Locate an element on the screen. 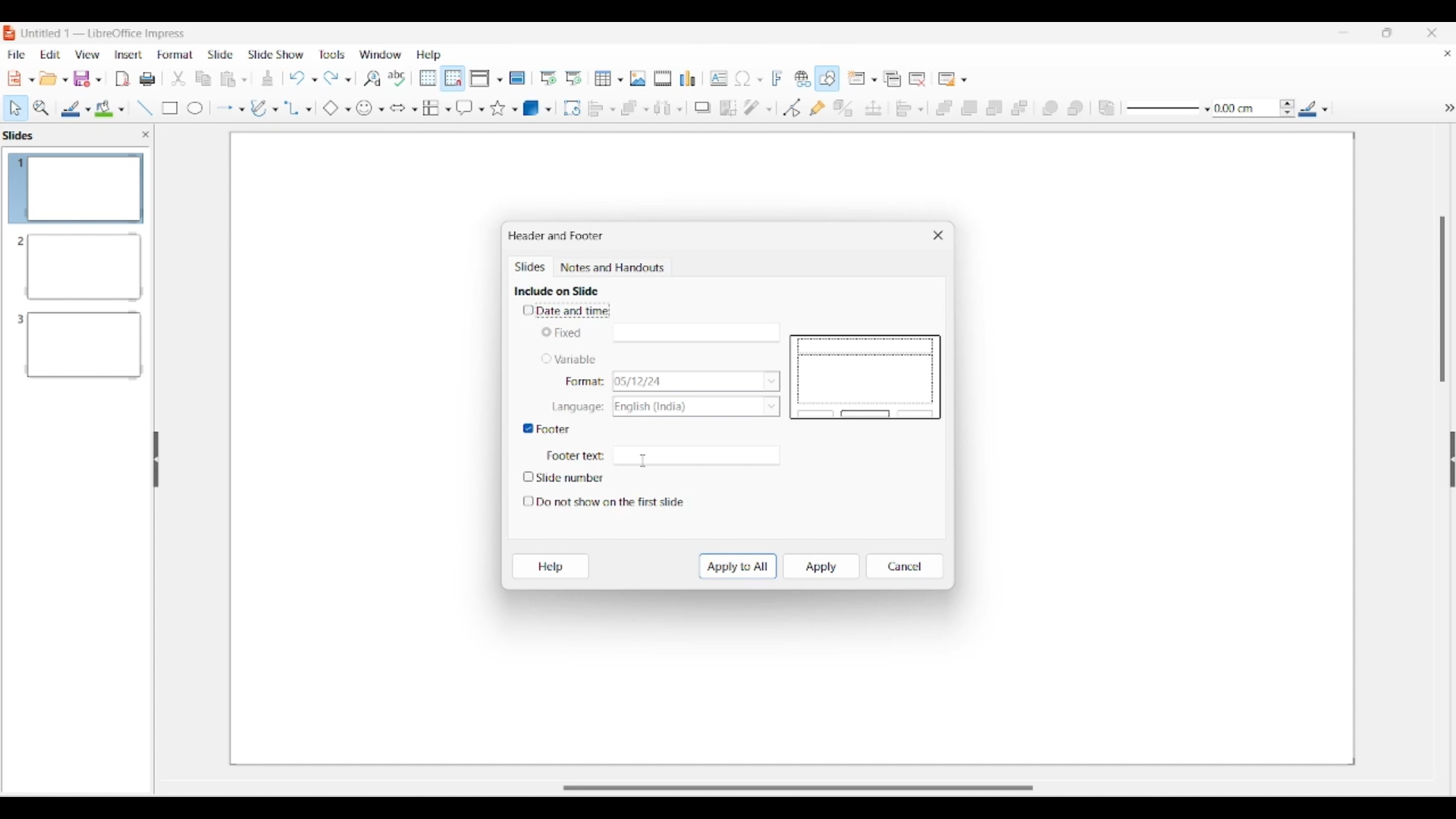  Master slide is located at coordinates (517, 77).